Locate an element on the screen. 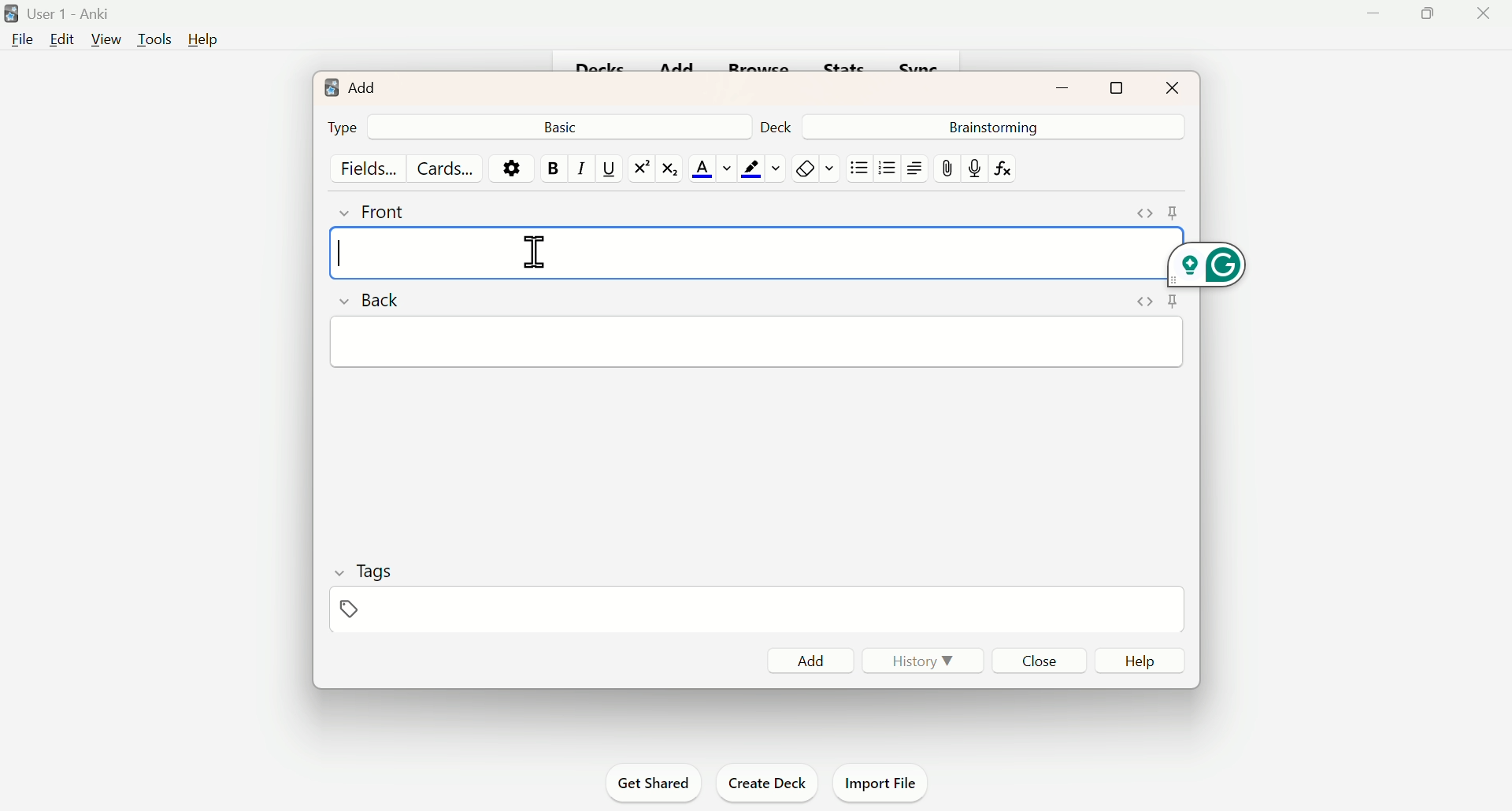 This screenshot has width=1512, height=811. Subscript is located at coordinates (673, 168).